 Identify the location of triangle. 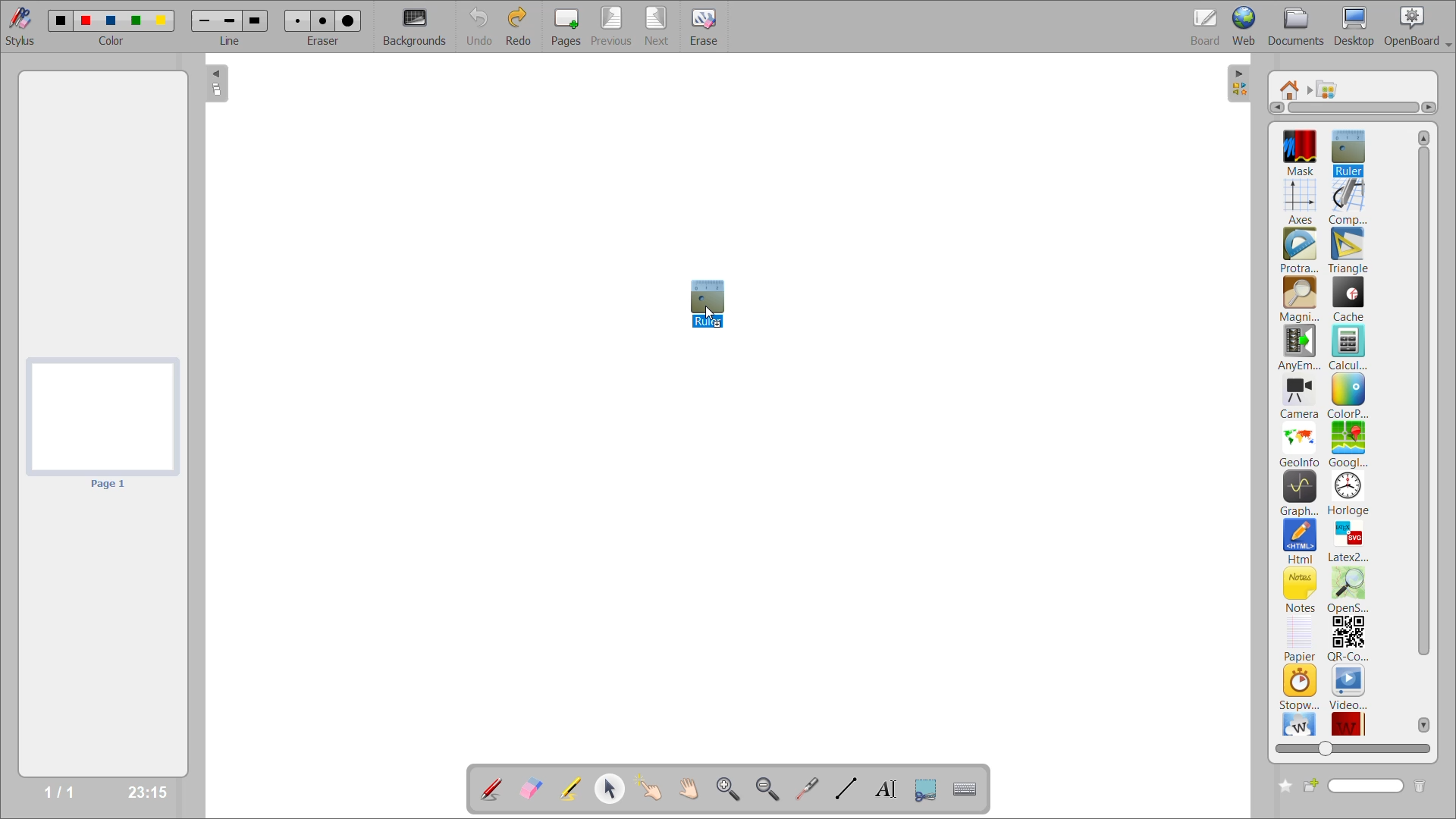
(1348, 251).